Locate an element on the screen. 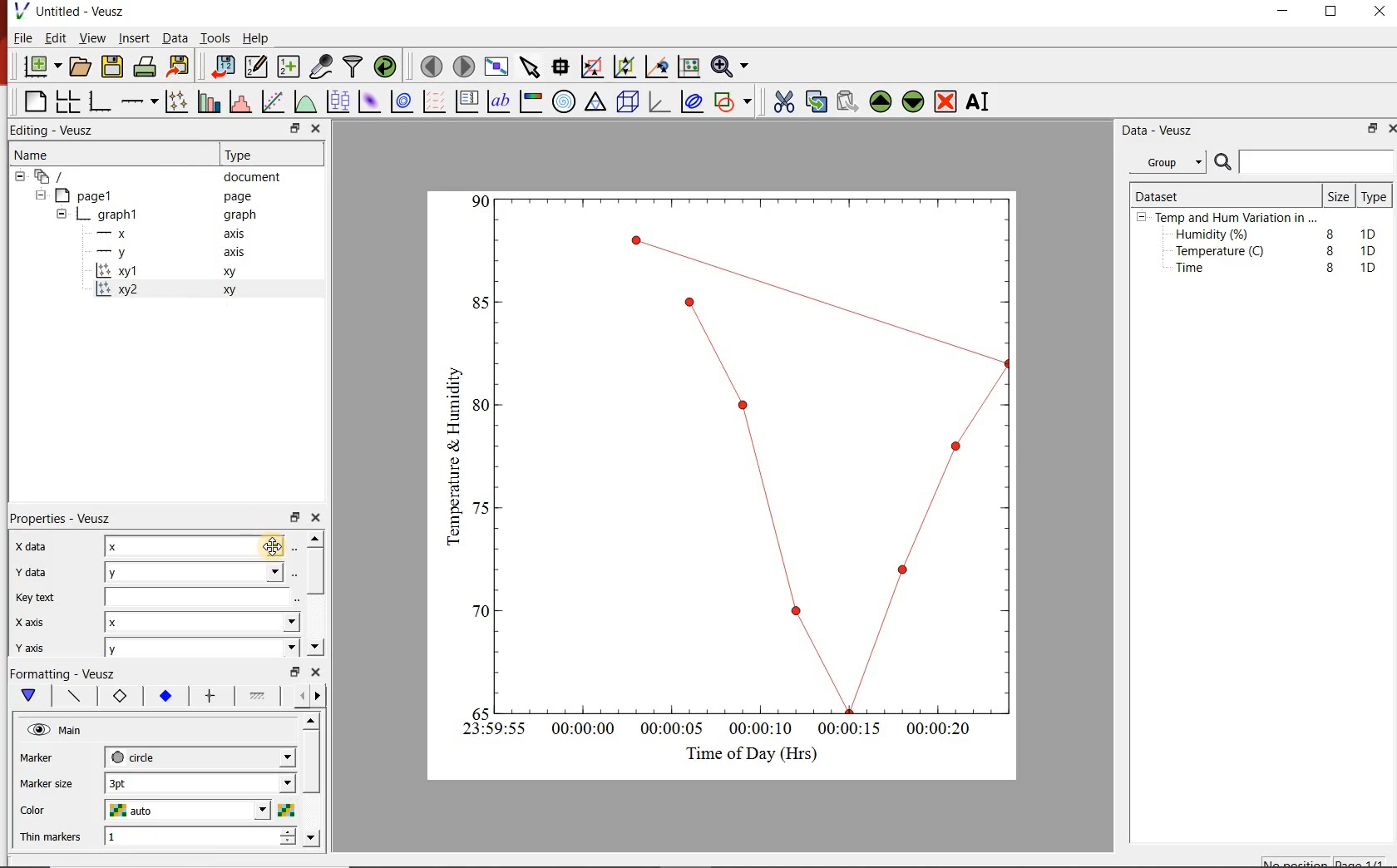  View is located at coordinates (92, 38).